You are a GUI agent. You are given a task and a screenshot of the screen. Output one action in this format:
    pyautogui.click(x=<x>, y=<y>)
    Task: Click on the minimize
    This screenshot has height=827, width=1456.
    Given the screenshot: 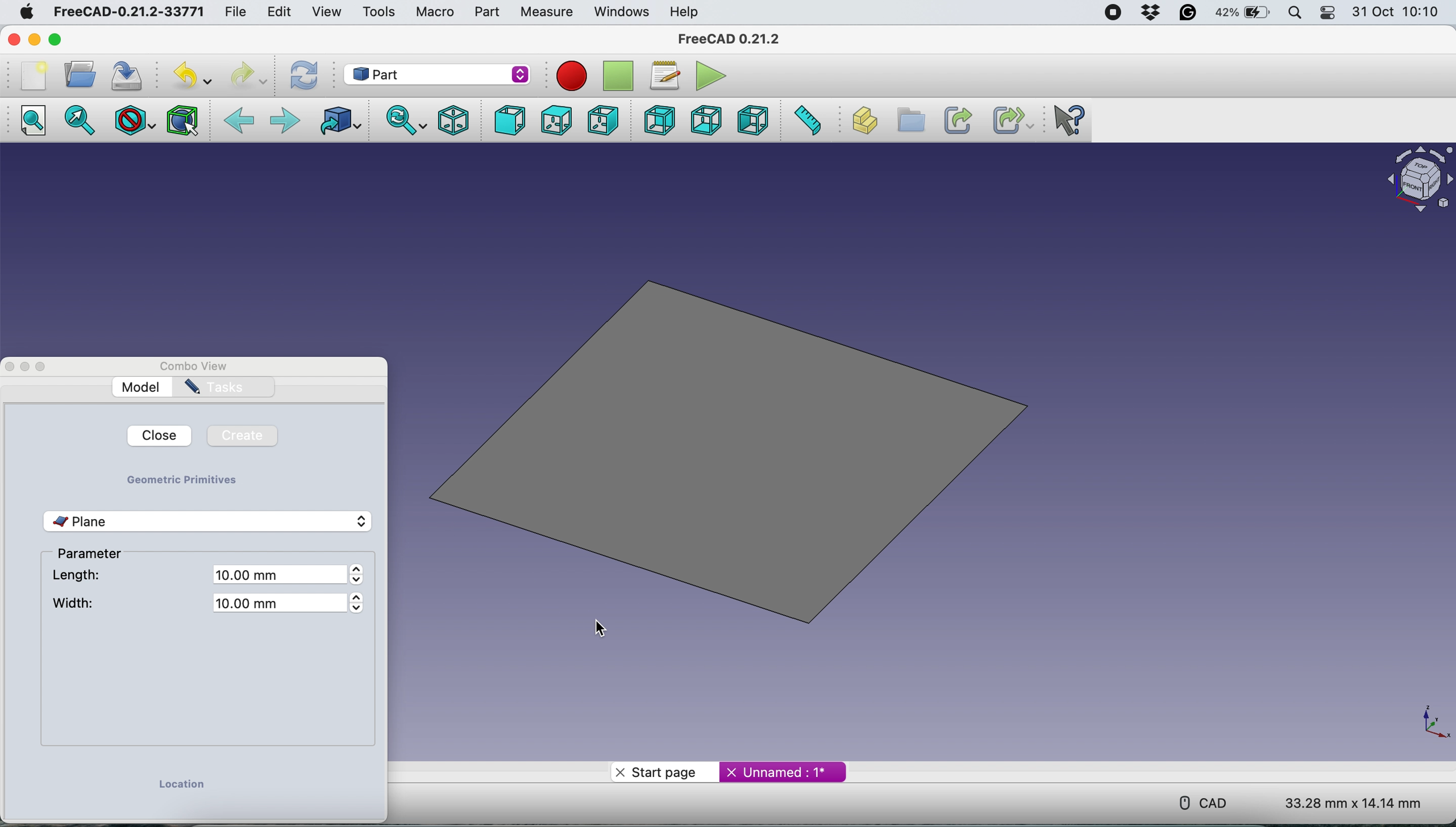 What is the action you would take?
    pyautogui.click(x=34, y=39)
    